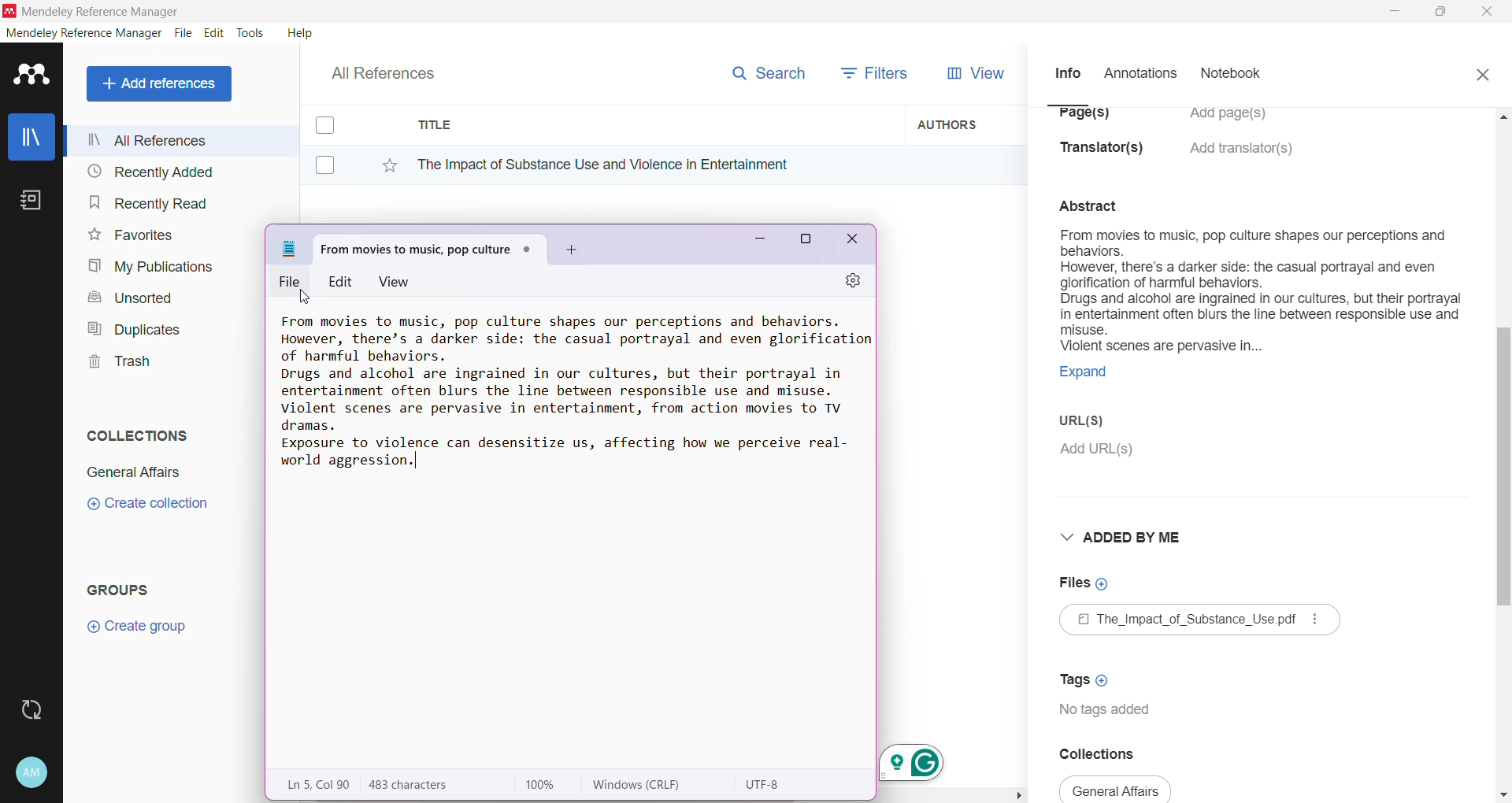 Image resolution: width=1512 pixels, height=803 pixels. Describe the element at coordinates (162, 83) in the screenshot. I see `Add References` at that location.